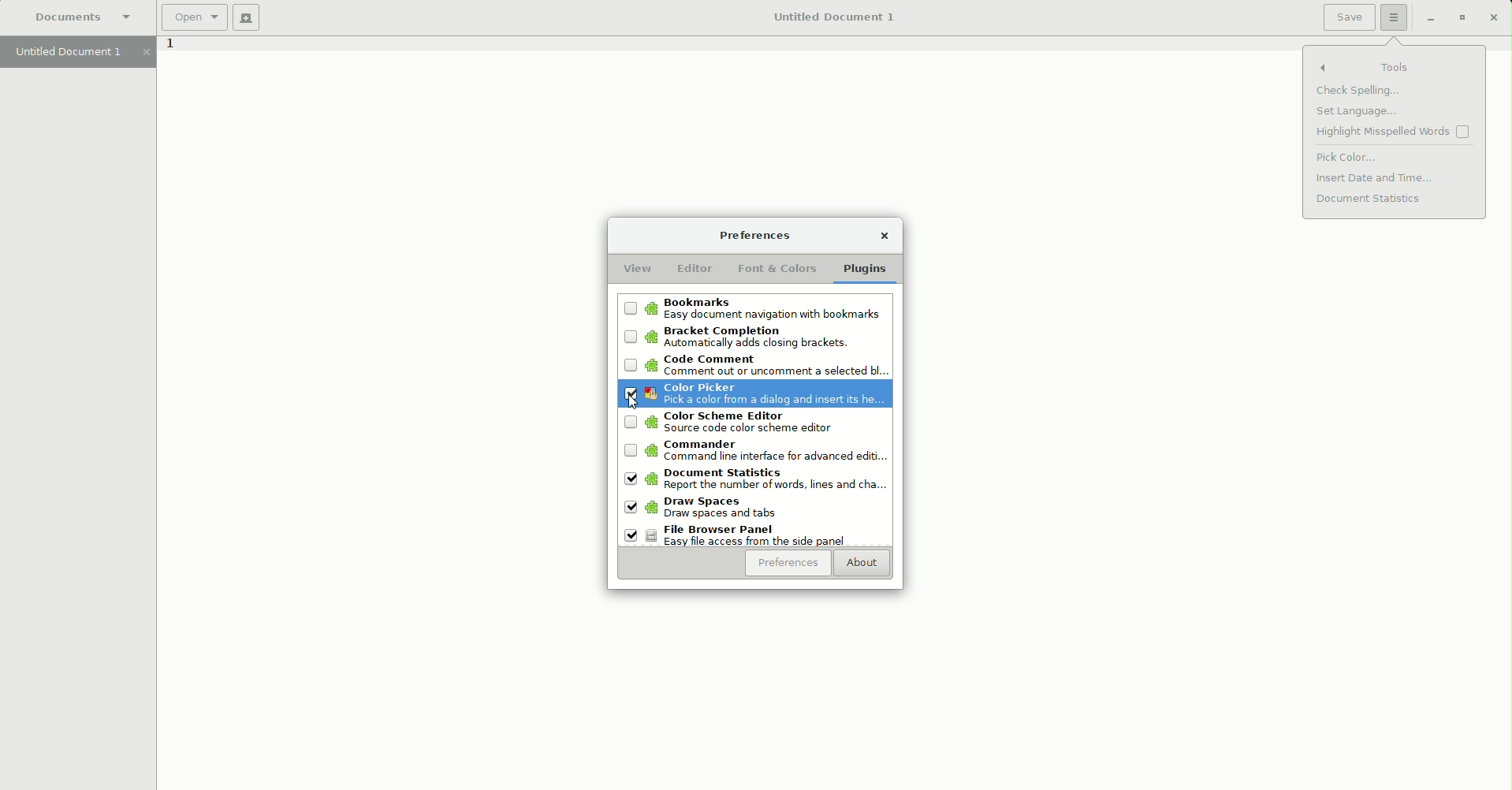 This screenshot has height=790, width=1512. What do you see at coordinates (863, 565) in the screenshot?
I see `About` at bounding box center [863, 565].